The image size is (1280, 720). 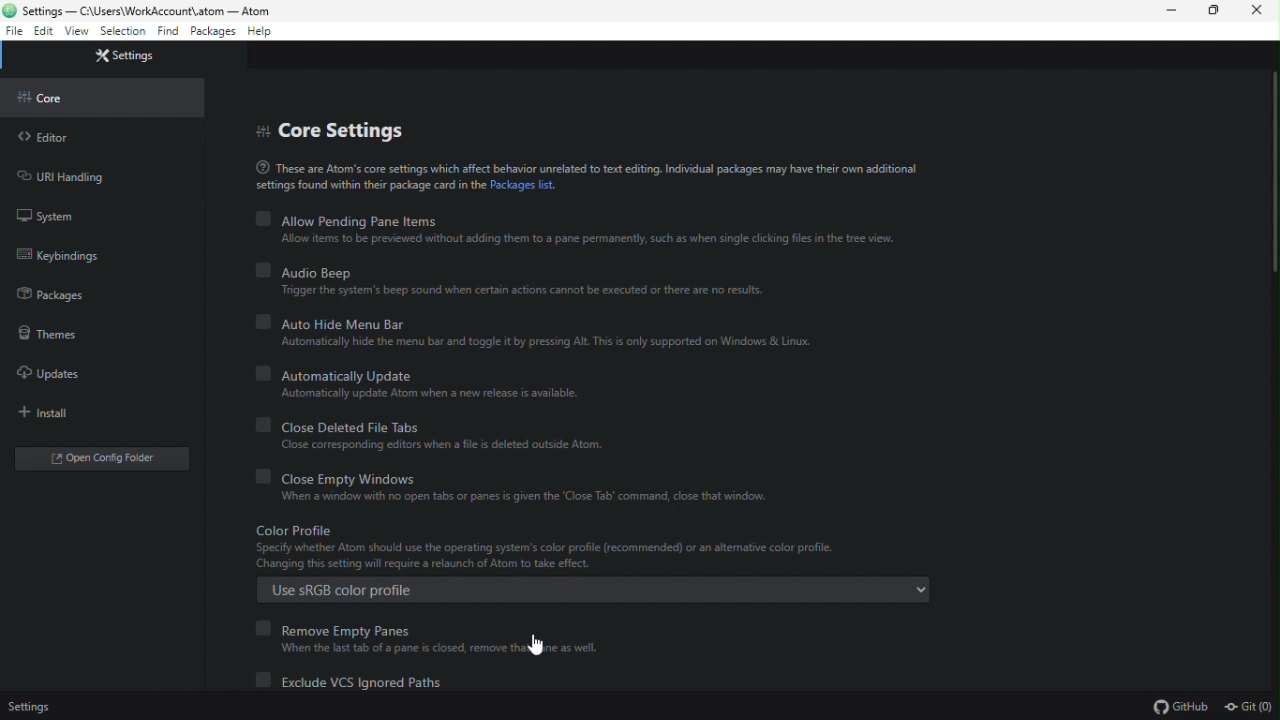 What do you see at coordinates (430, 637) in the screenshot?
I see `remove empty panes` at bounding box center [430, 637].